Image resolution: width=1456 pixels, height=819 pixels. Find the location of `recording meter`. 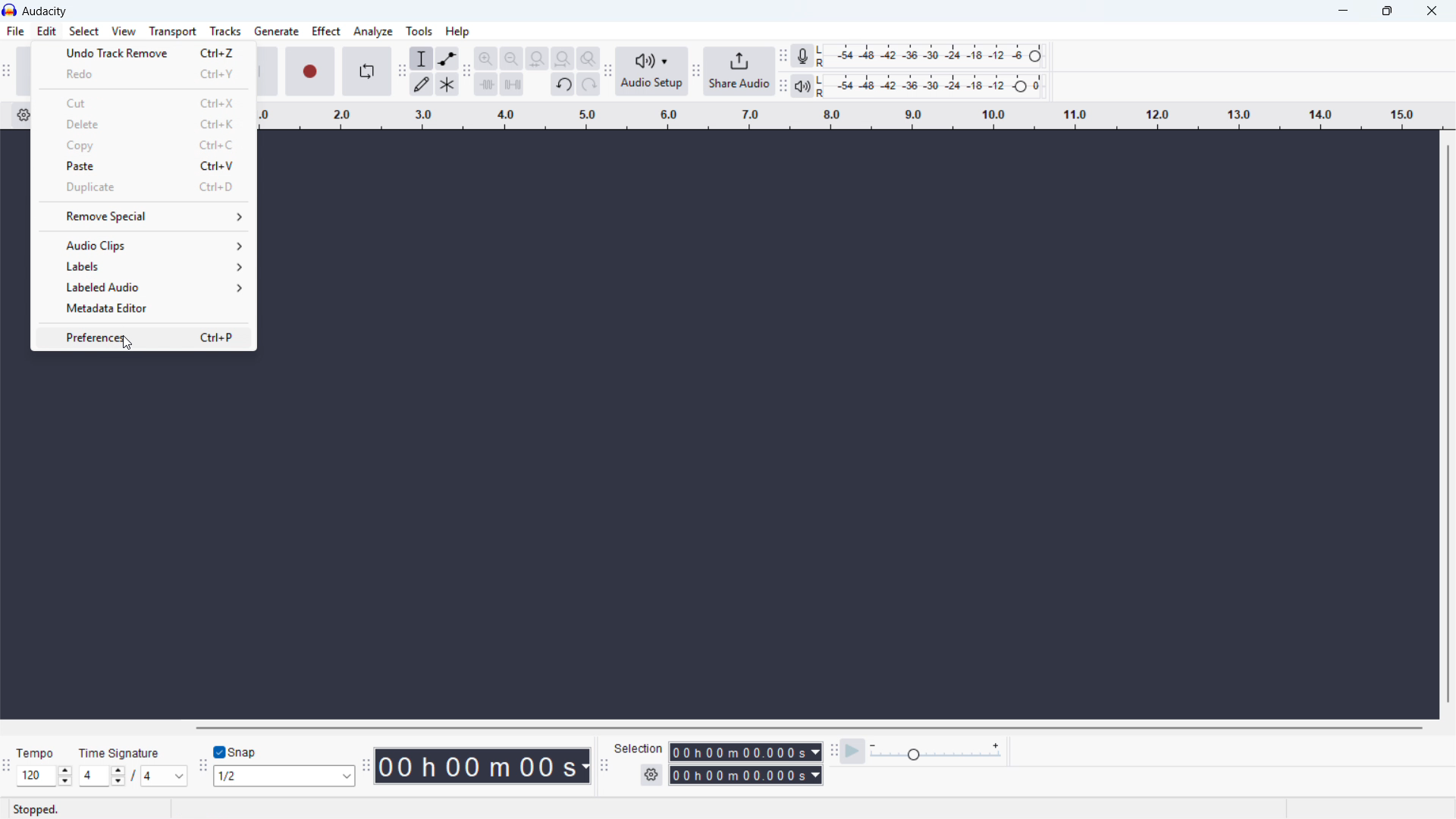

recording meter is located at coordinates (803, 55).